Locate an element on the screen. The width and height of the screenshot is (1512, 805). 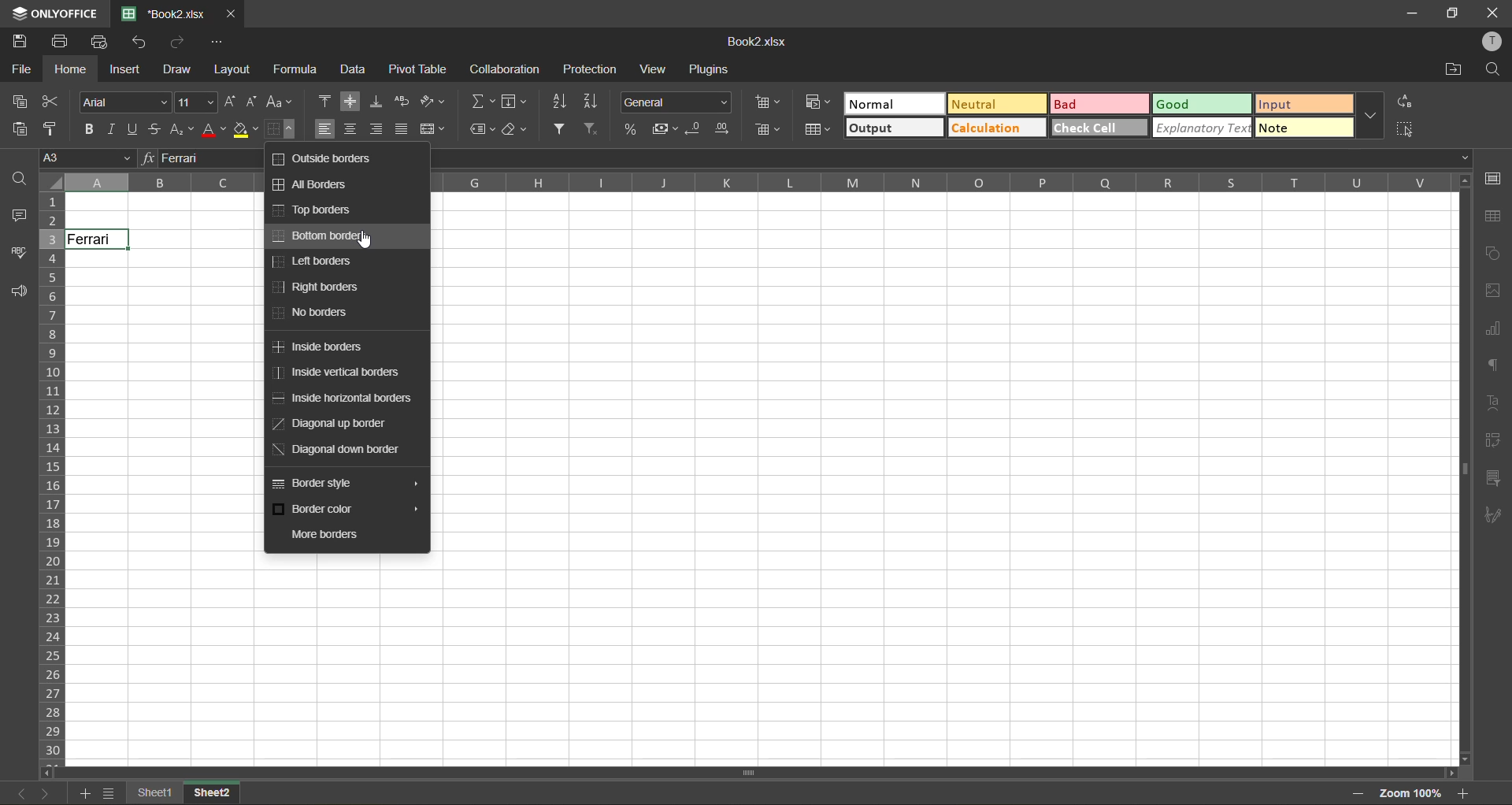
find is located at coordinates (17, 180).